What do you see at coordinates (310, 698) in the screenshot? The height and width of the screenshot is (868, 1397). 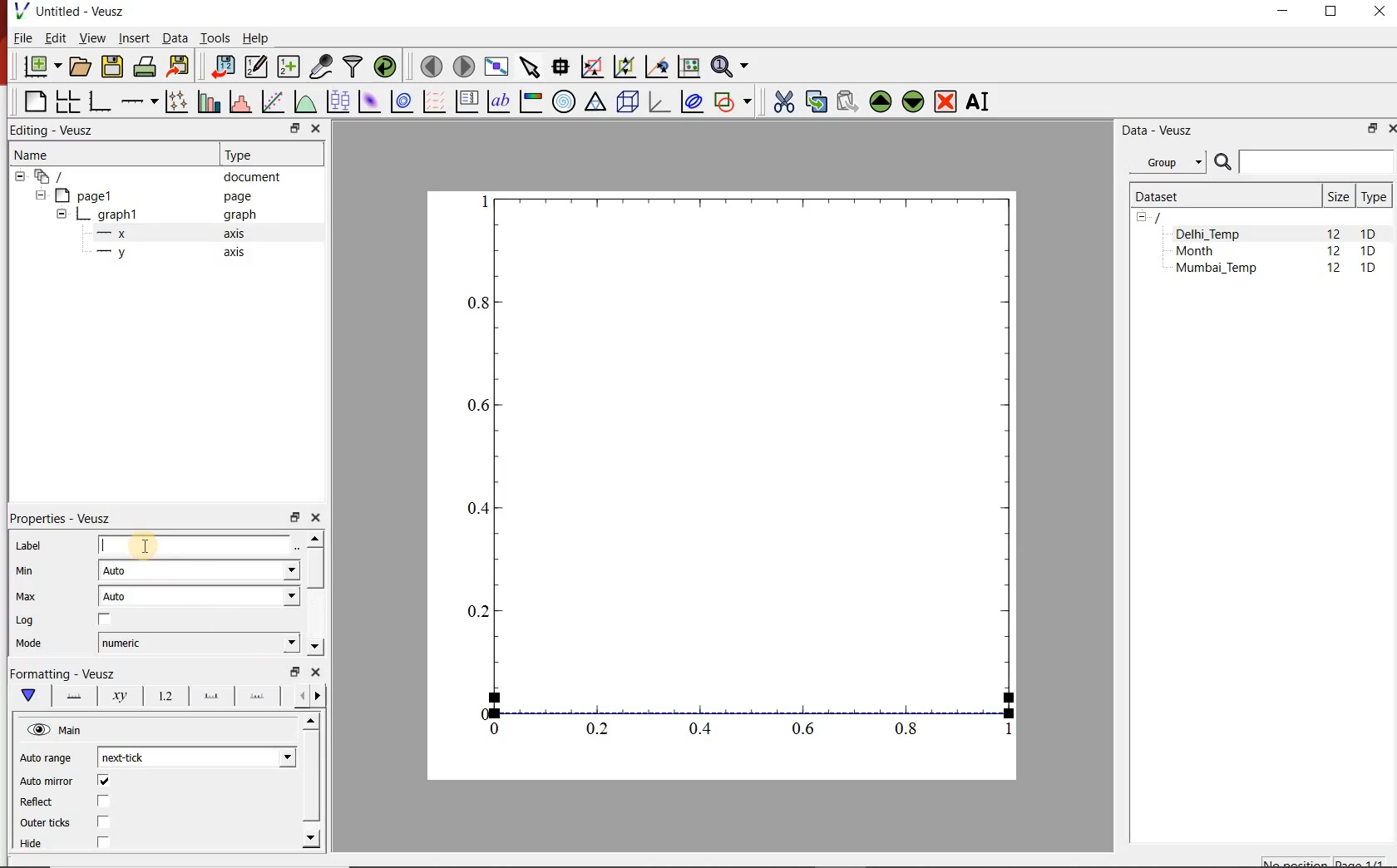 I see `Grid lines` at bounding box center [310, 698].